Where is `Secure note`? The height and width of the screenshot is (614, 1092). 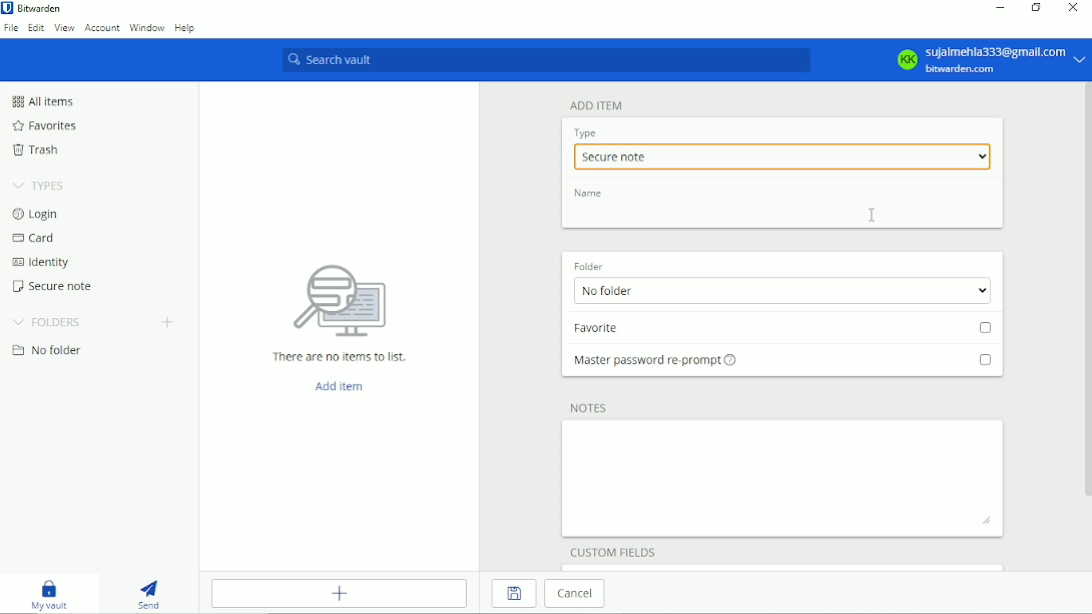 Secure note is located at coordinates (781, 156).